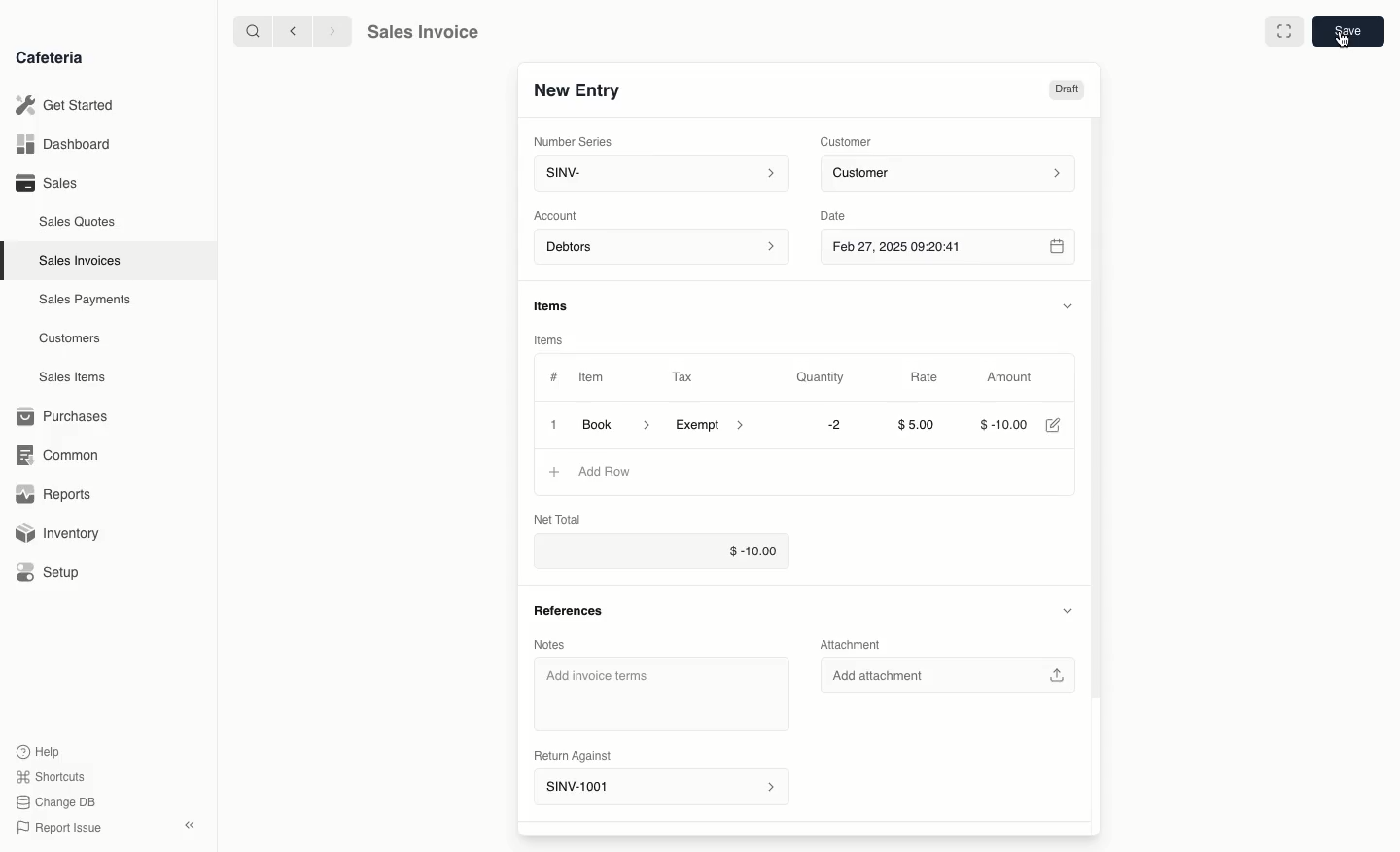  Describe the element at coordinates (663, 248) in the screenshot. I see `Debtors ` at that location.